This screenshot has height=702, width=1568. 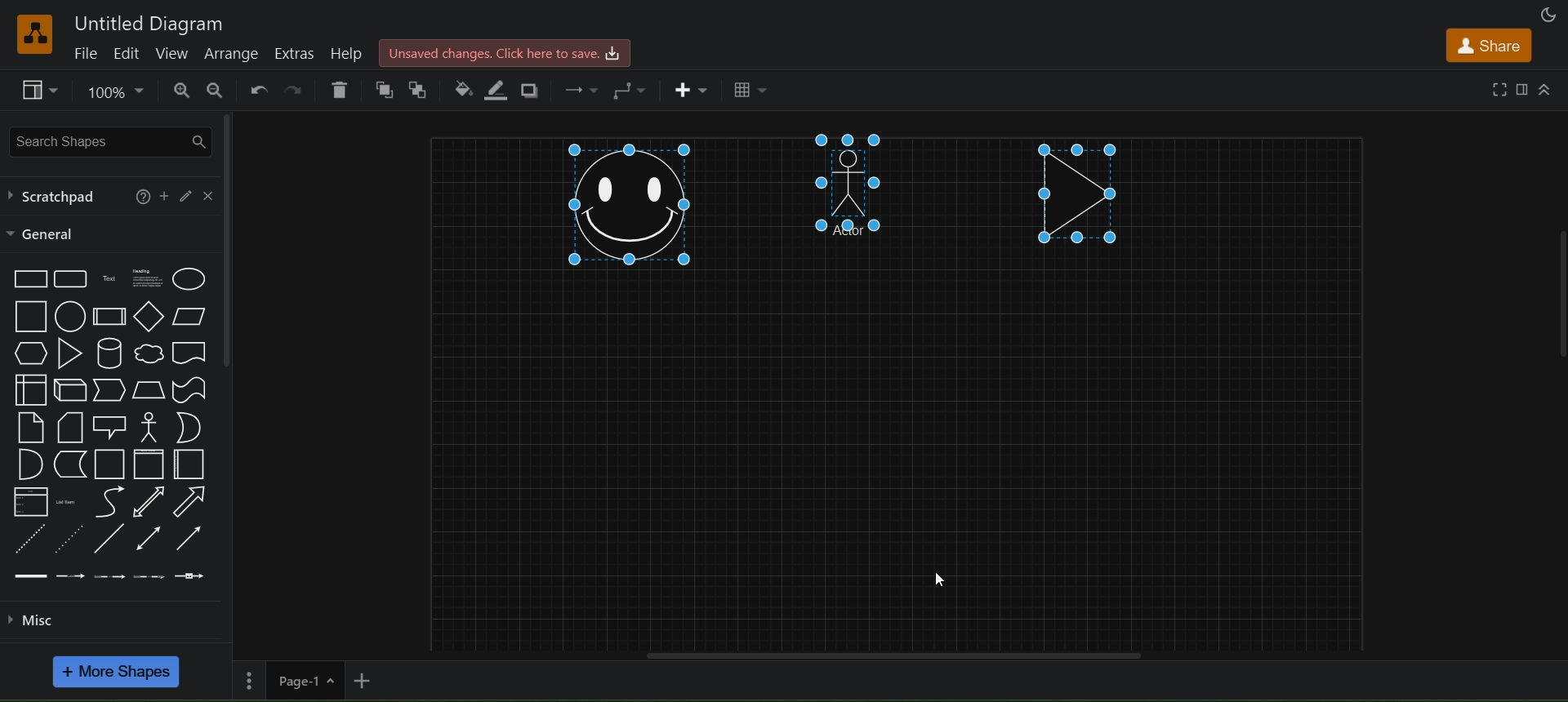 What do you see at coordinates (33, 539) in the screenshot?
I see `dashed line` at bounding box center [33, 539].